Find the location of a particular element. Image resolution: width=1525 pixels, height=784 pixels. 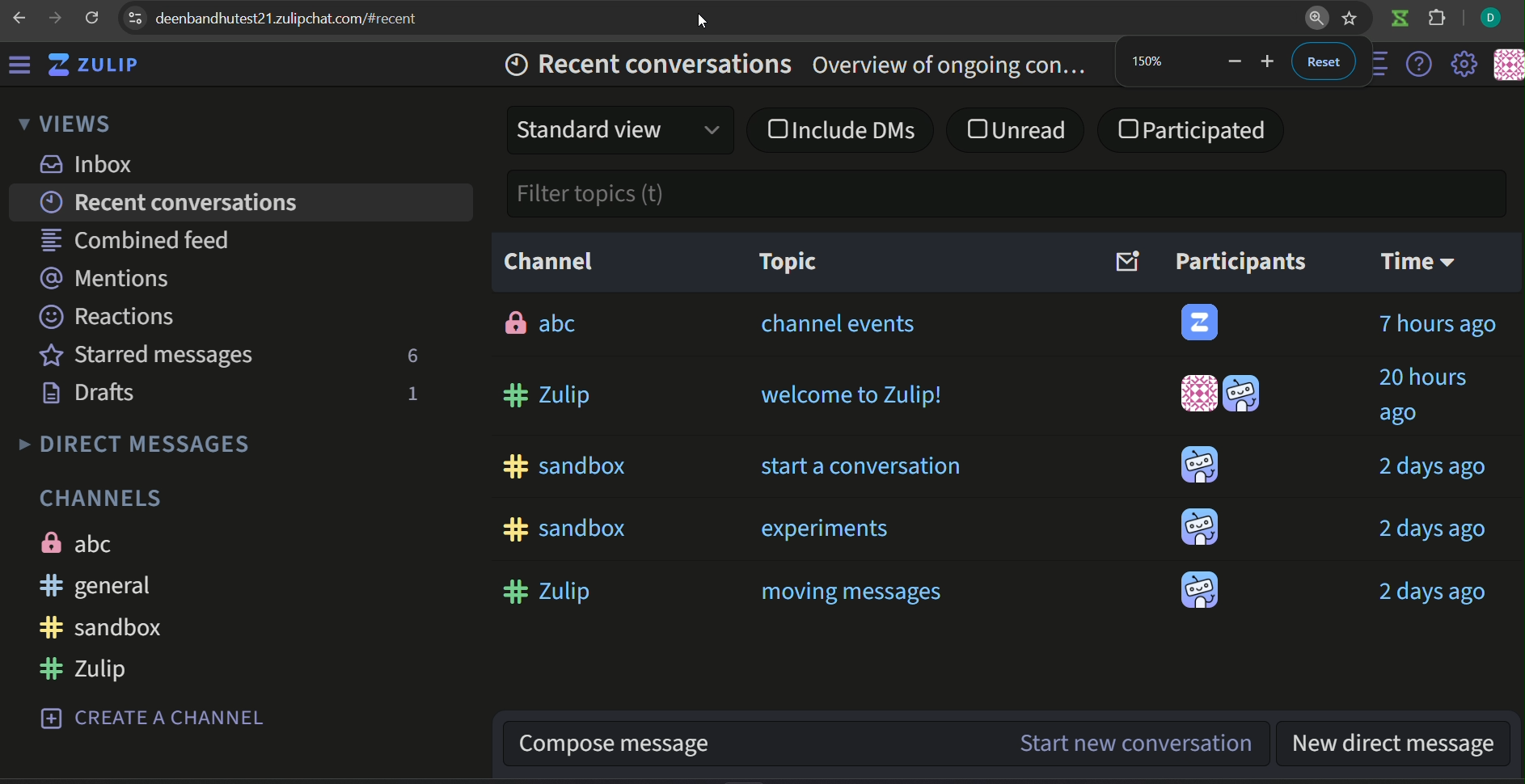

previous page is located at coordinates (21, 18).